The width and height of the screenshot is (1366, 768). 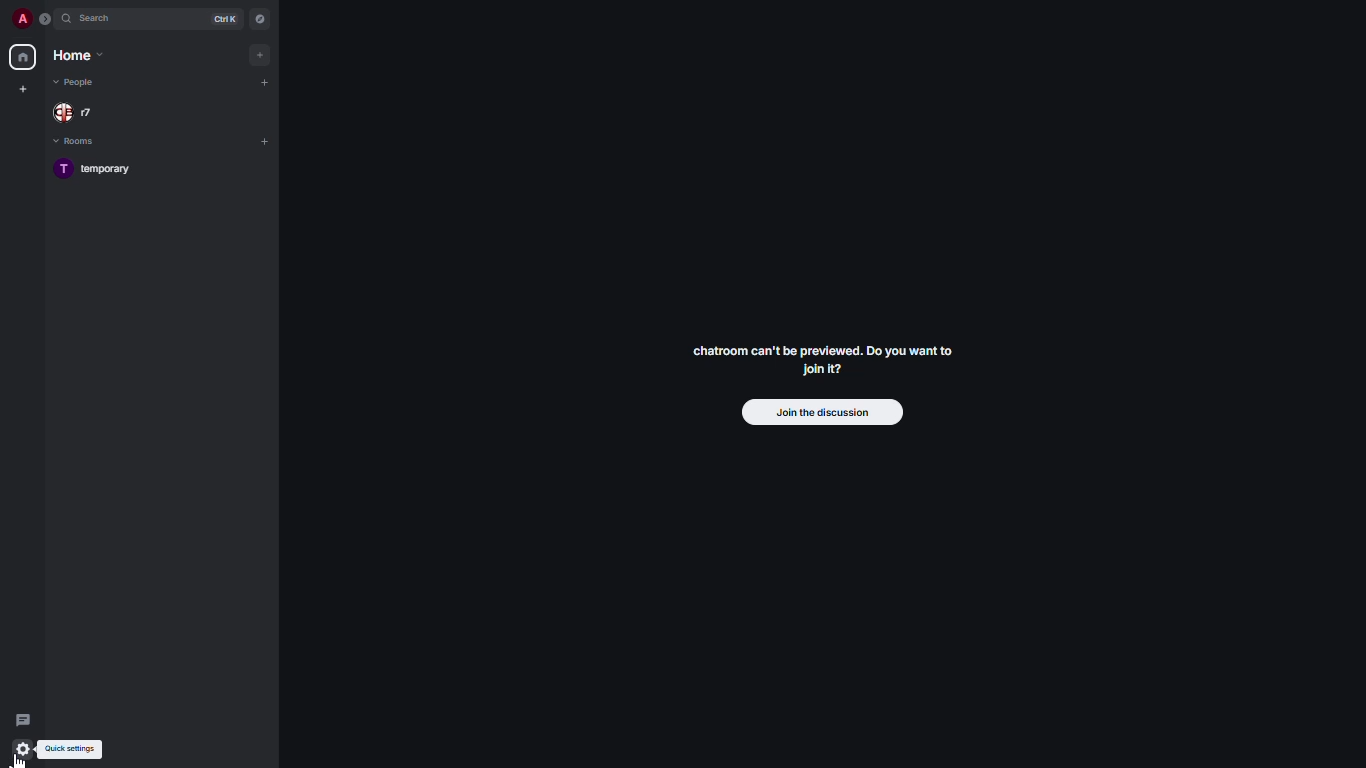 I want to click on navigator, so click(x=258, y=19).